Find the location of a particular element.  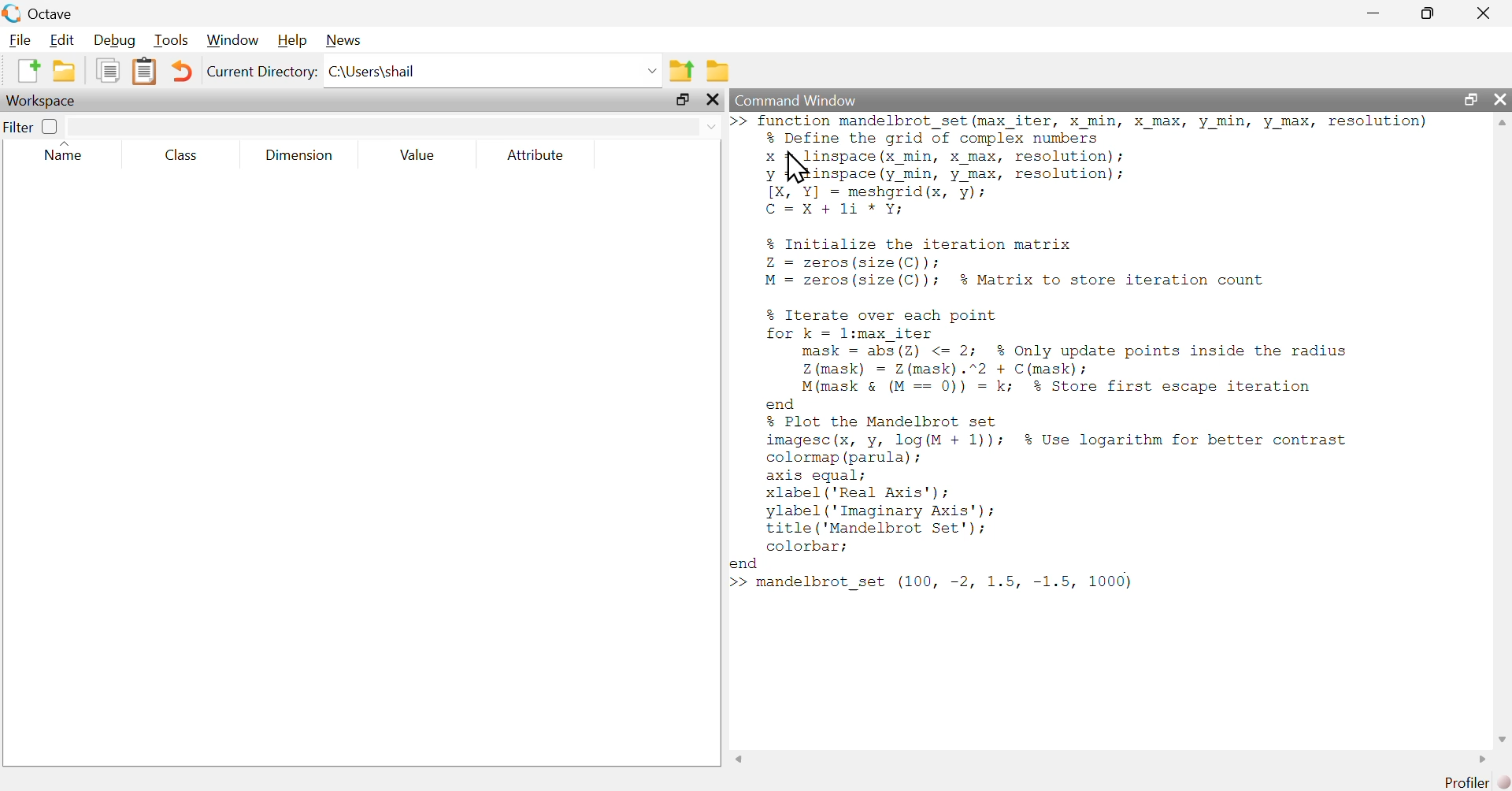

Profiler is located at coordinates (1463, 782).